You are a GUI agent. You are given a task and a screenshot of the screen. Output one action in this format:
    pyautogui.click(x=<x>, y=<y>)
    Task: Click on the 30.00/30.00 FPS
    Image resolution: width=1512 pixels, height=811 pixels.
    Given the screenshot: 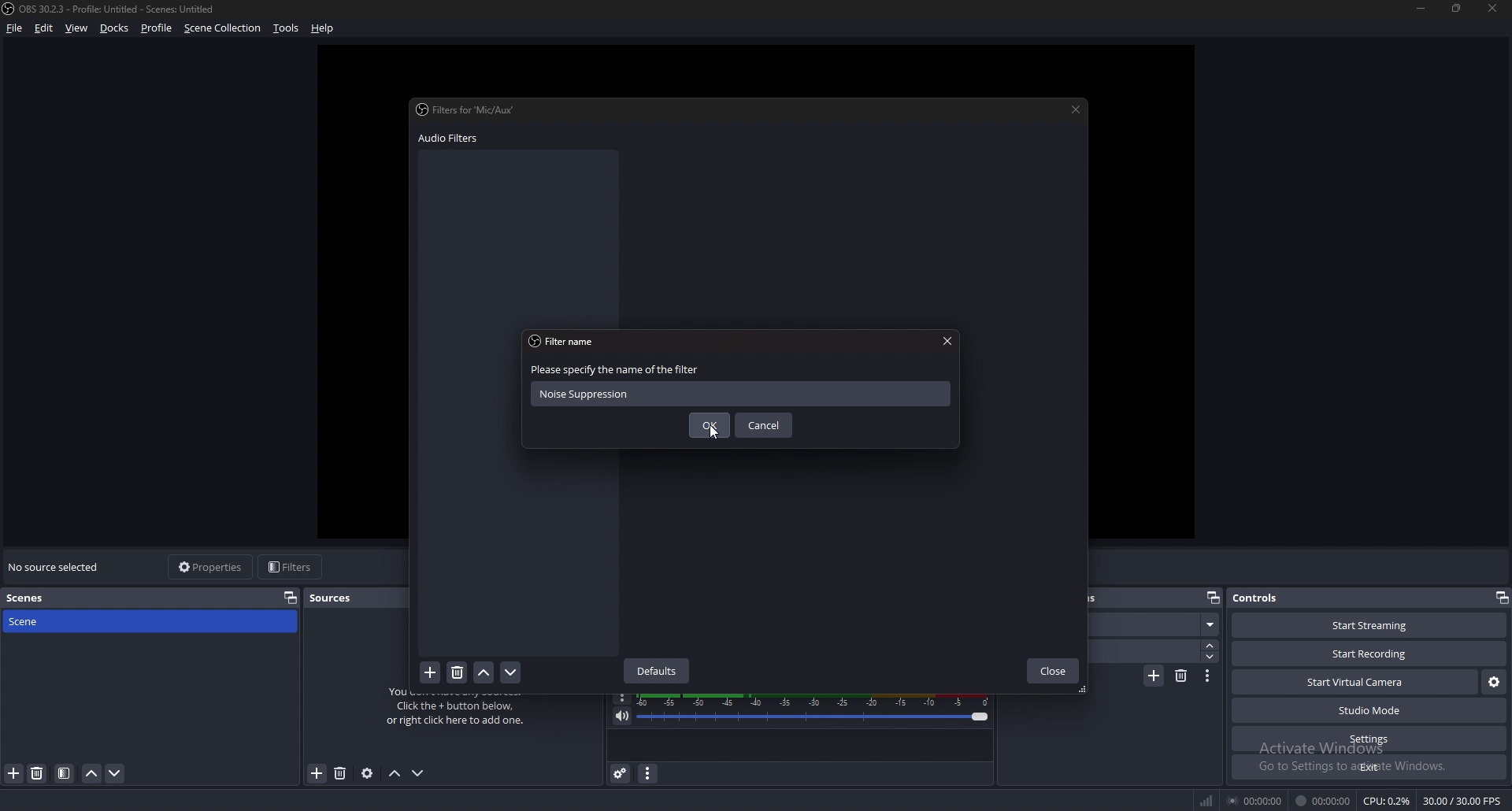 What is the action you would take?
    pyautogui.click(x=1465, y=801)
    